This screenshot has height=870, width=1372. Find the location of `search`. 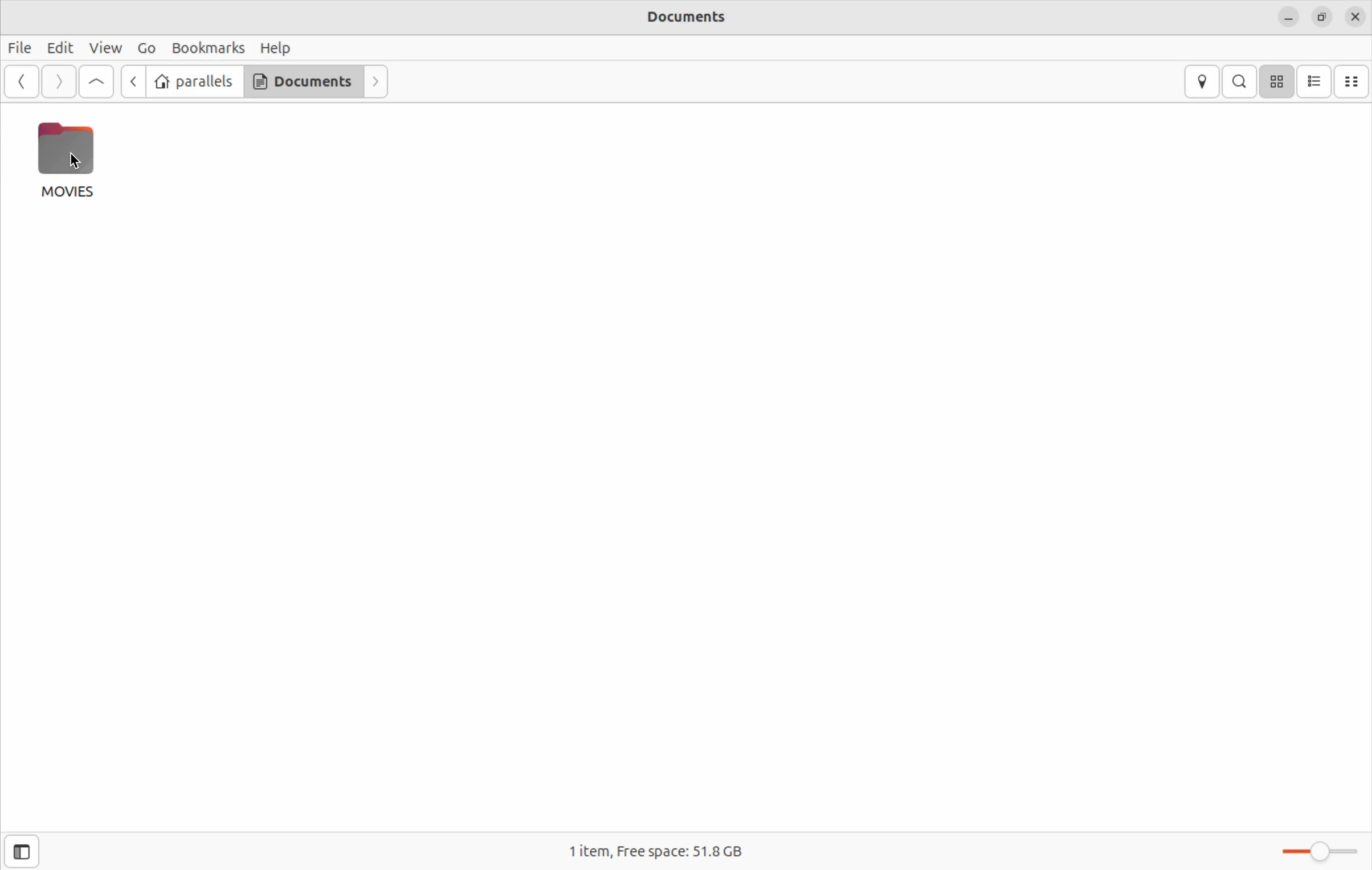

search is located at coordinates (1239, 81).